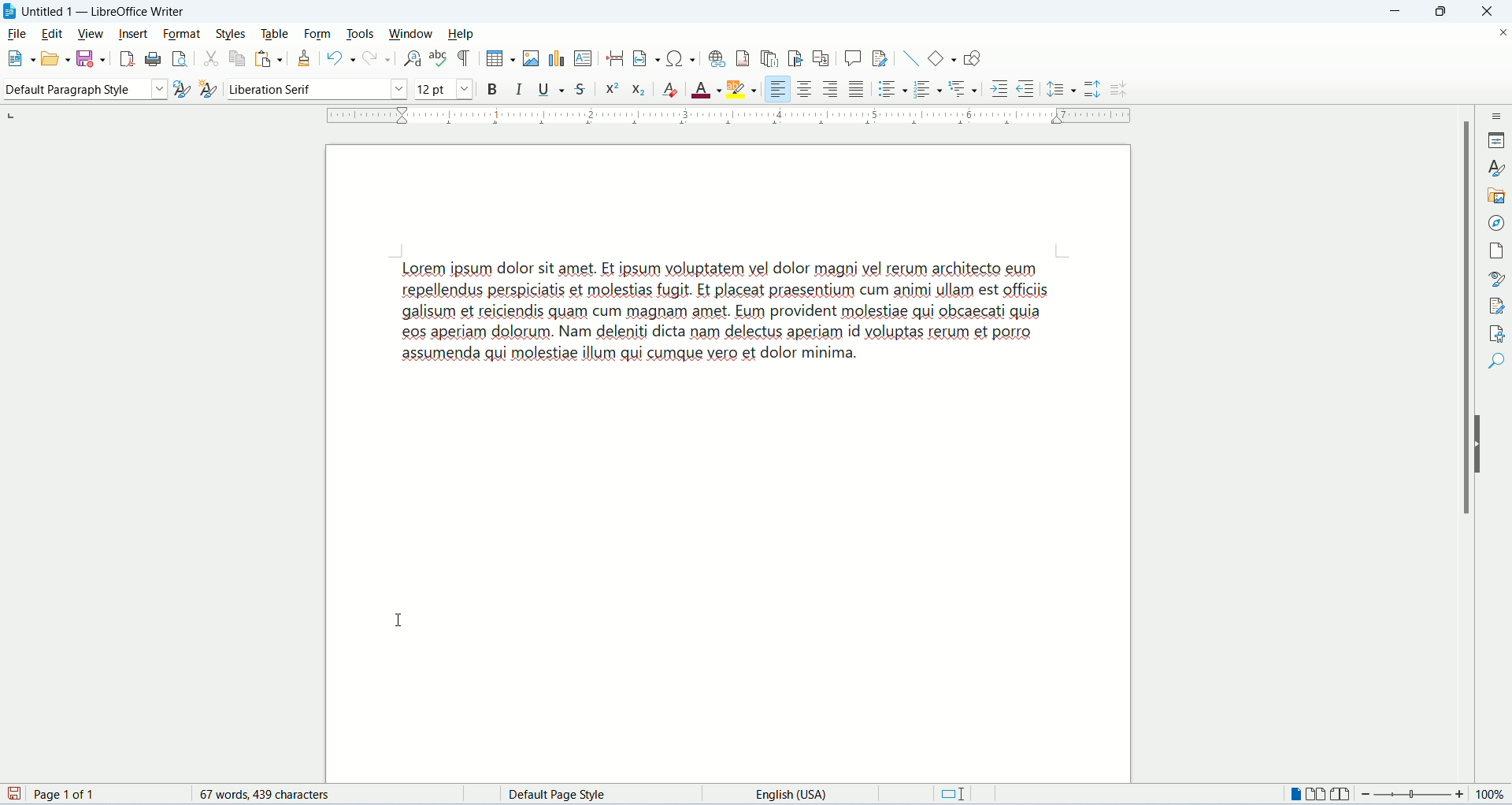 The height and width of the screenshot is (805, 1512). Describe the element at coordinates (1496, 142) in the screenshot. I see `properties` at that location.